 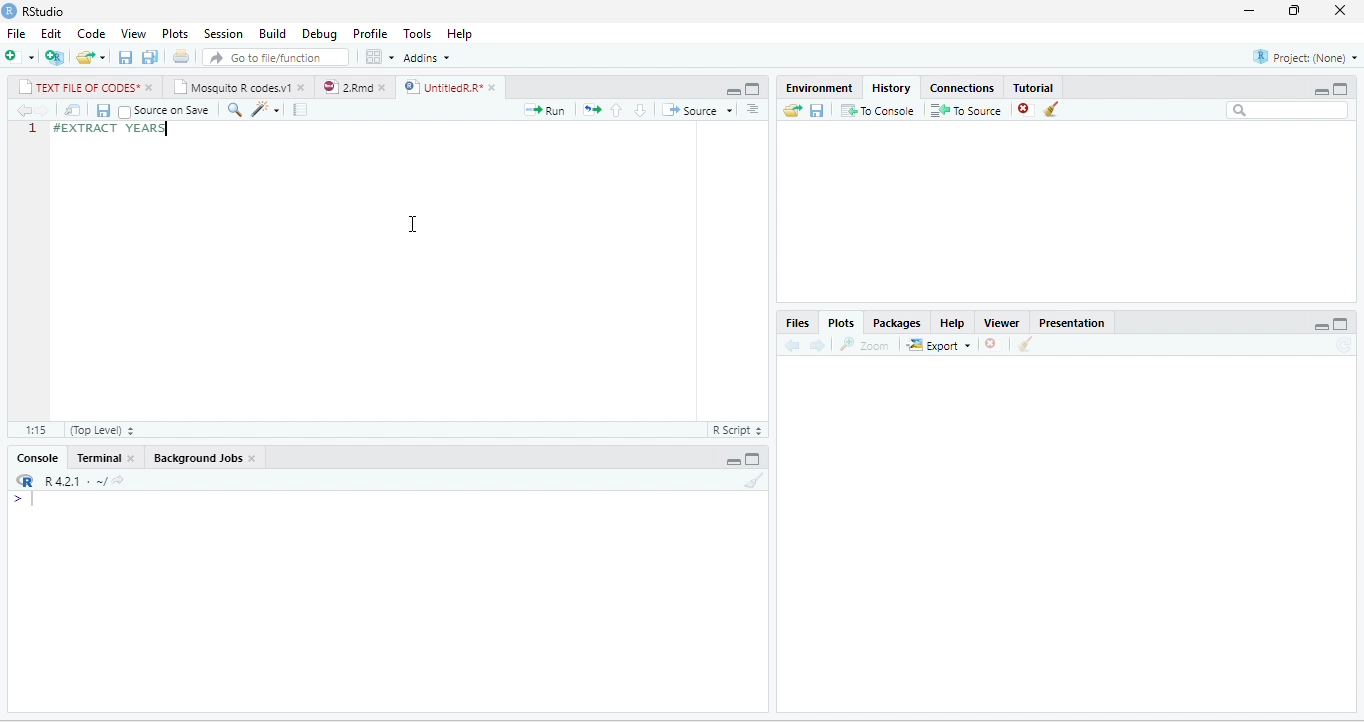 What do you see at coordinates (133, 34) in the screenshot?
I see `View` at bounding box center [133, 34].